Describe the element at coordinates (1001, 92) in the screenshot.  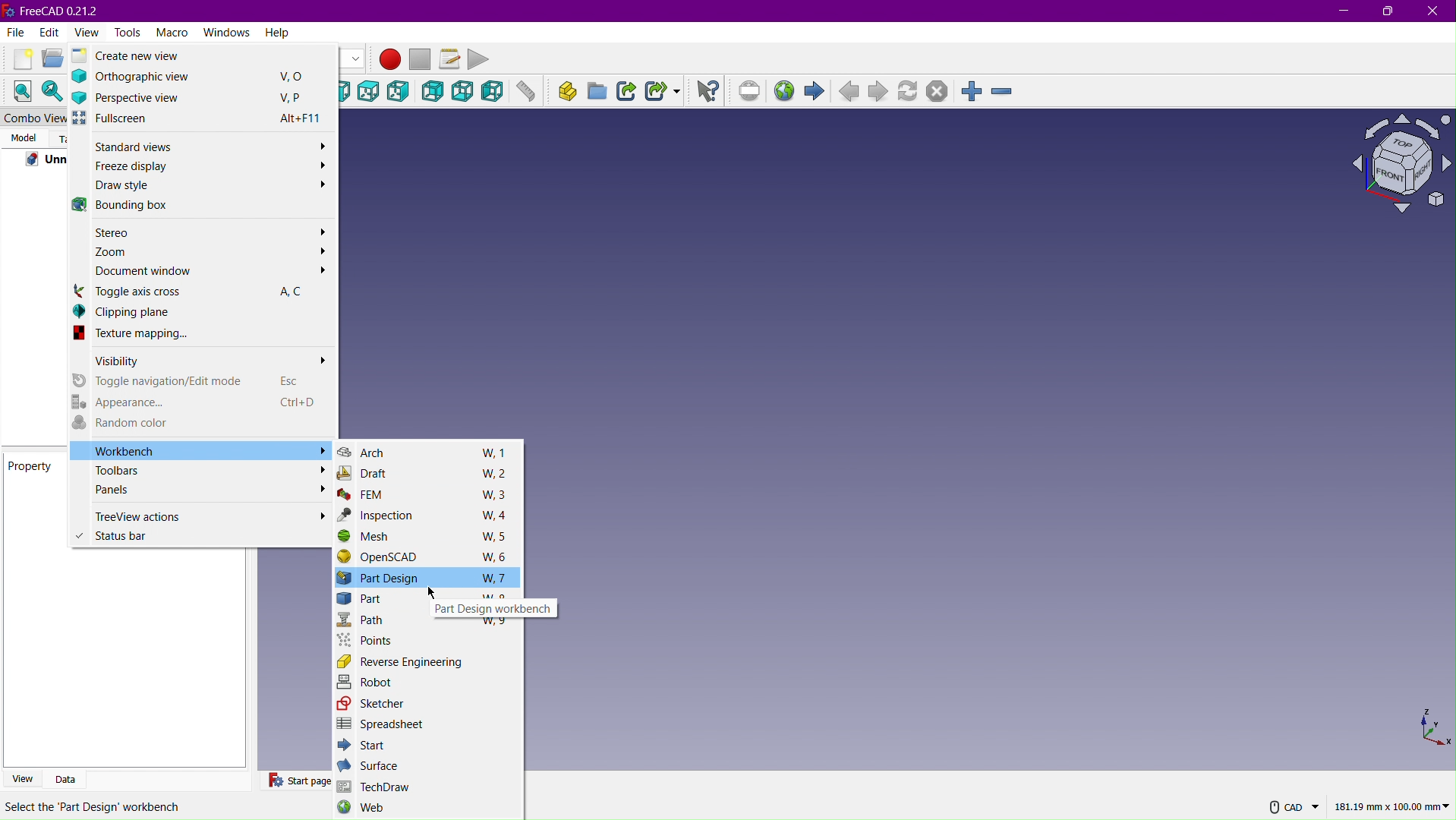
I see `Zoom Out` at that location.